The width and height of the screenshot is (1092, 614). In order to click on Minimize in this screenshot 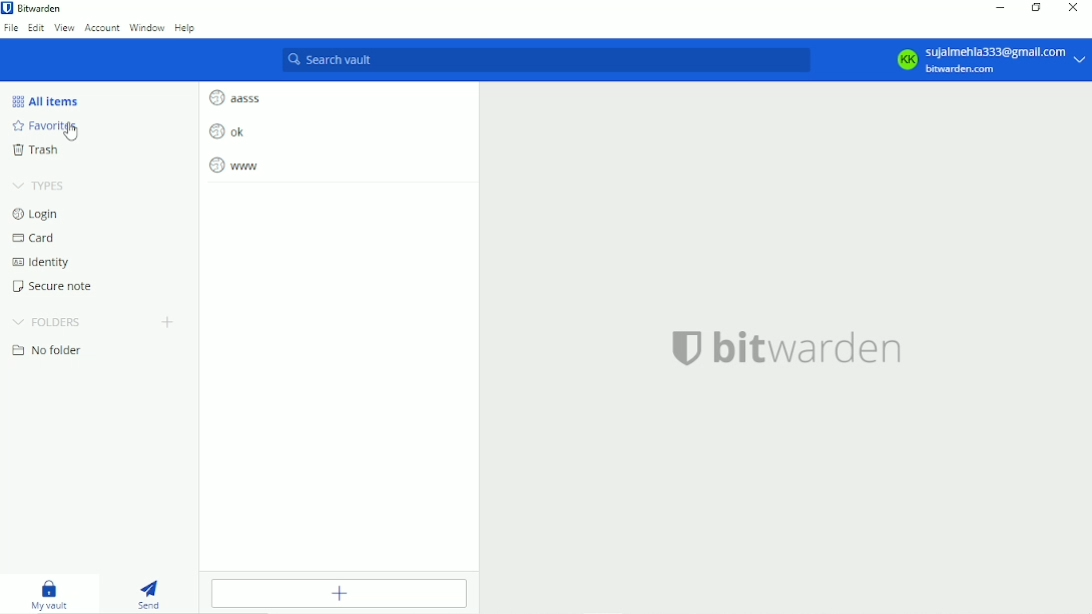, I will do `click(999, 9)`.